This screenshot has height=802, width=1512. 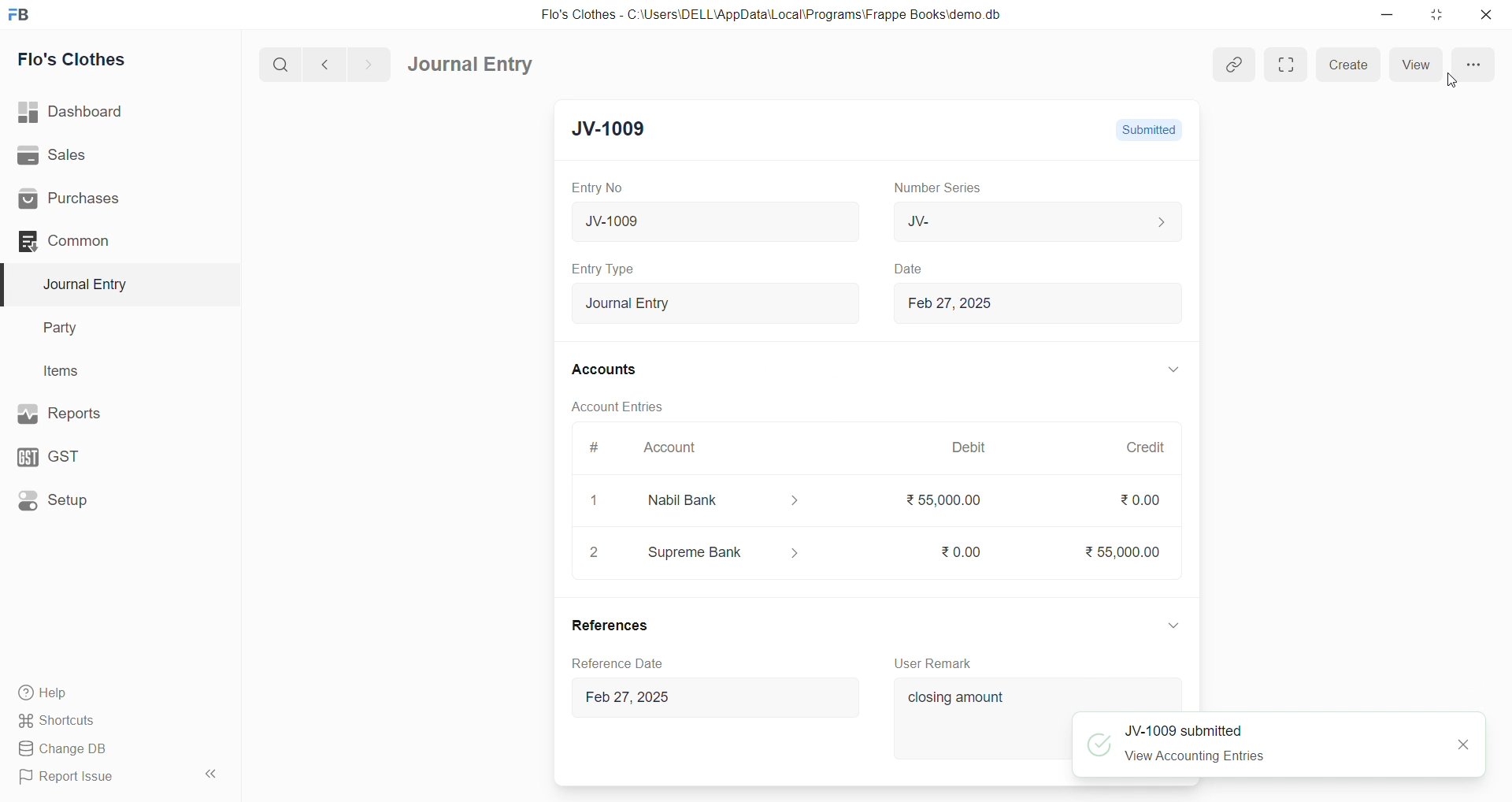 I want to click on References, so click(x=610, y=623).